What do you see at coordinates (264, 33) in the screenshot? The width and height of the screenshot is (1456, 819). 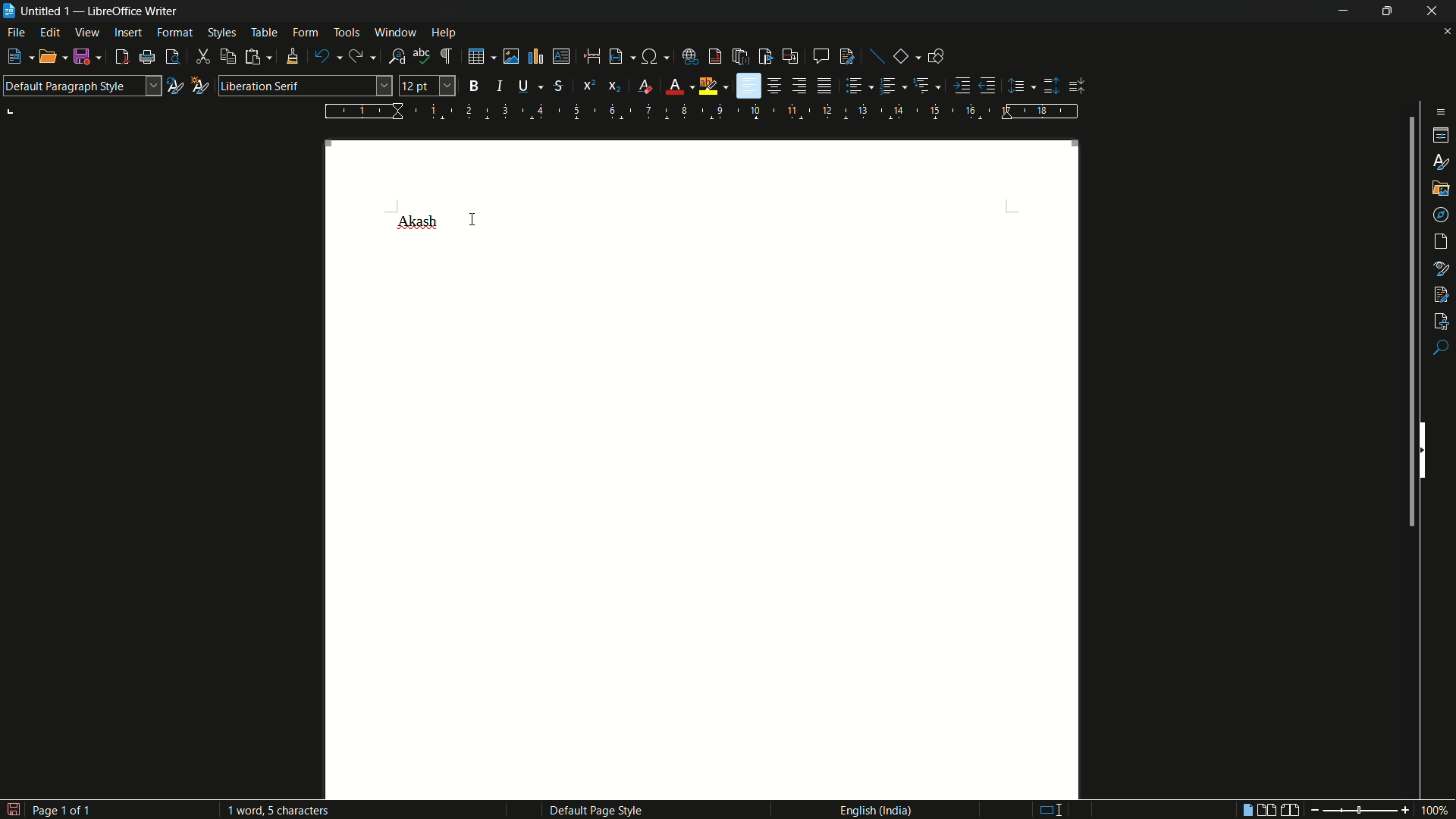 I see `table menu` at bounding box center [264, 33].